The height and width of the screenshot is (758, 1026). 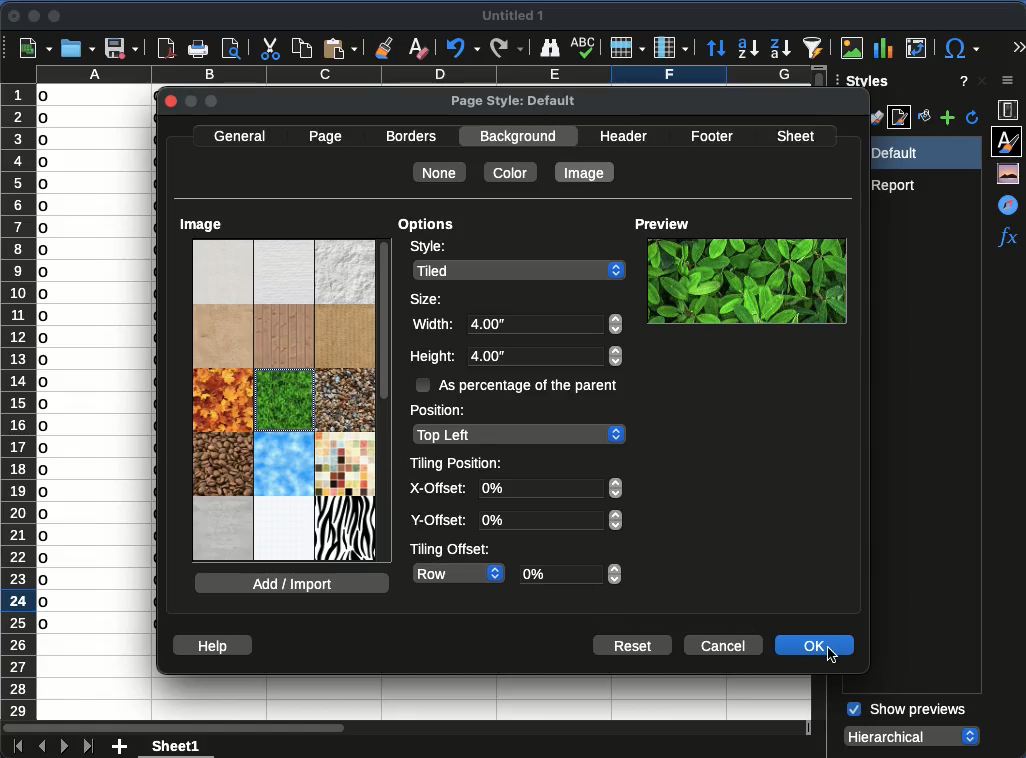 What do you see at coordinates (628, 48) in the screenshot?
I see `row` at bounding box center [628, 48].